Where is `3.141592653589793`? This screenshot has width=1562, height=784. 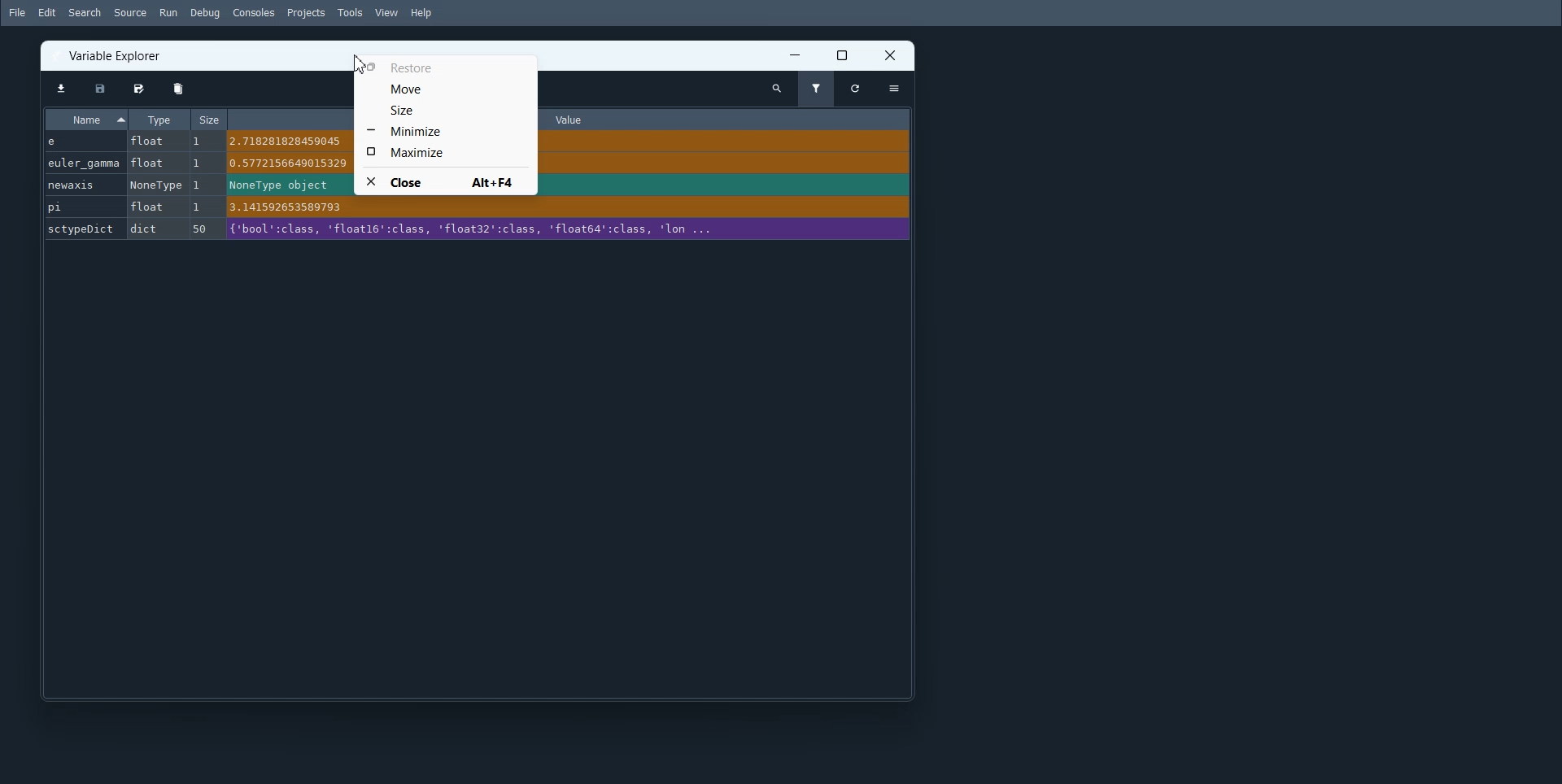 3.141592653589793 is located at coordinates (295, 207).